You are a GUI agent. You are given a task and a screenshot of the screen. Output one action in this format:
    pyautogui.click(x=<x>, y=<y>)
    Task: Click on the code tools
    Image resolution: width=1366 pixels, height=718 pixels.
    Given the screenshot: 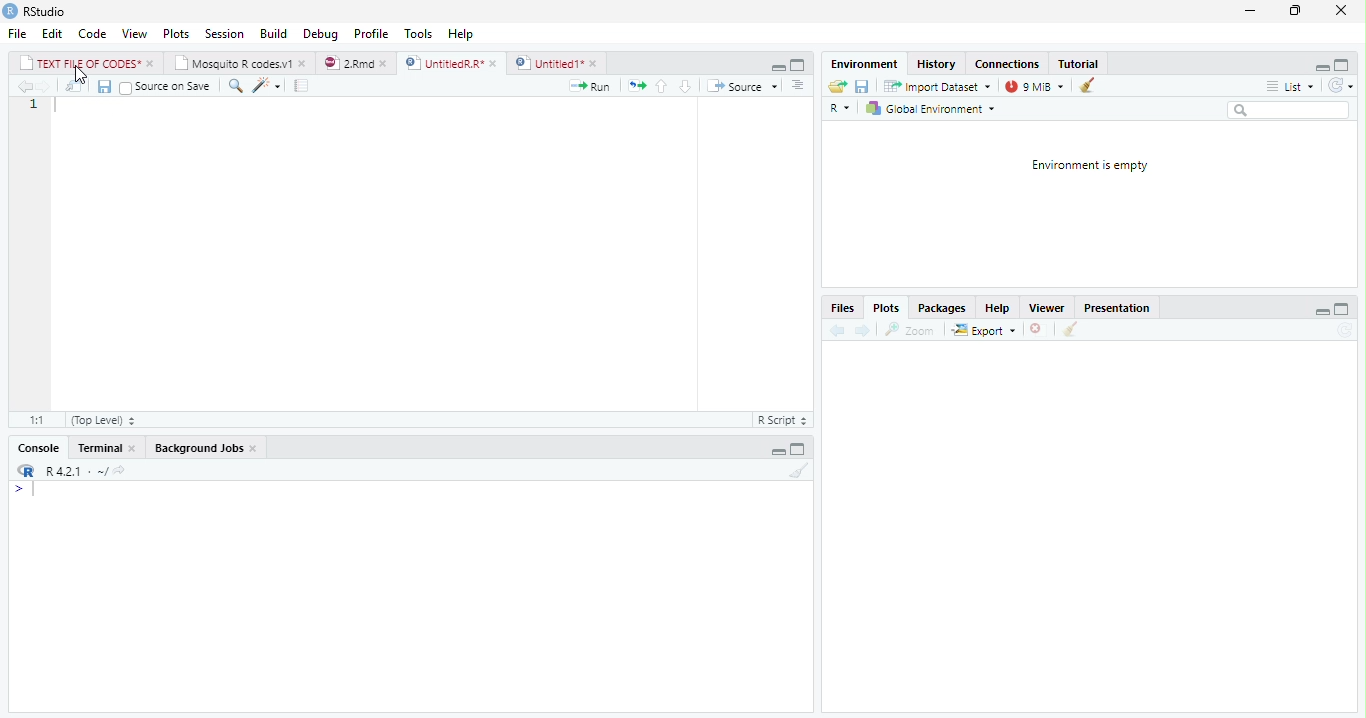 What is the action you would take?
    pyautogui.click(x=266, y=89)
    